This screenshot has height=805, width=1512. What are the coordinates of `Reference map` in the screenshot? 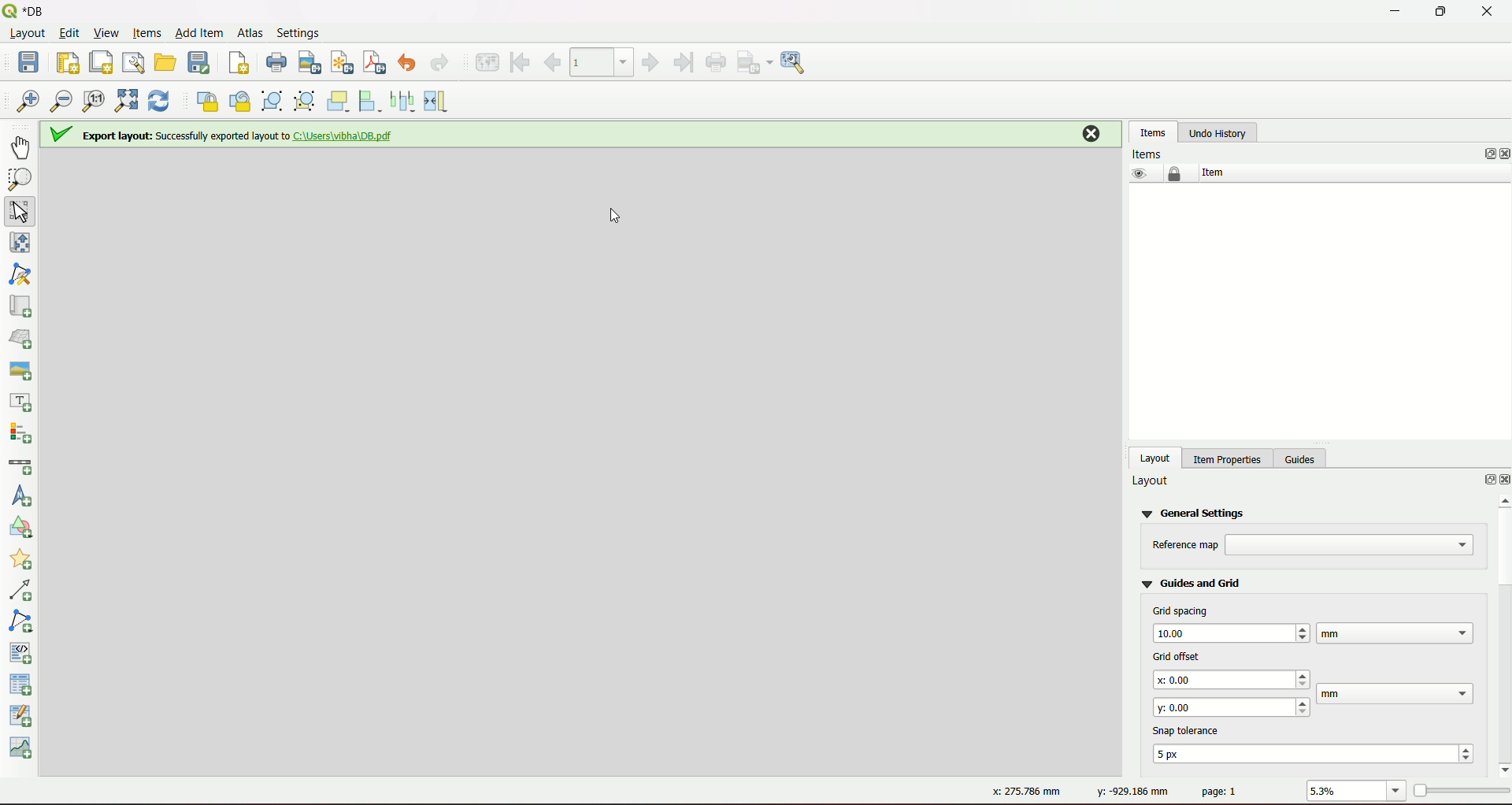 It's located at (1185, 545).